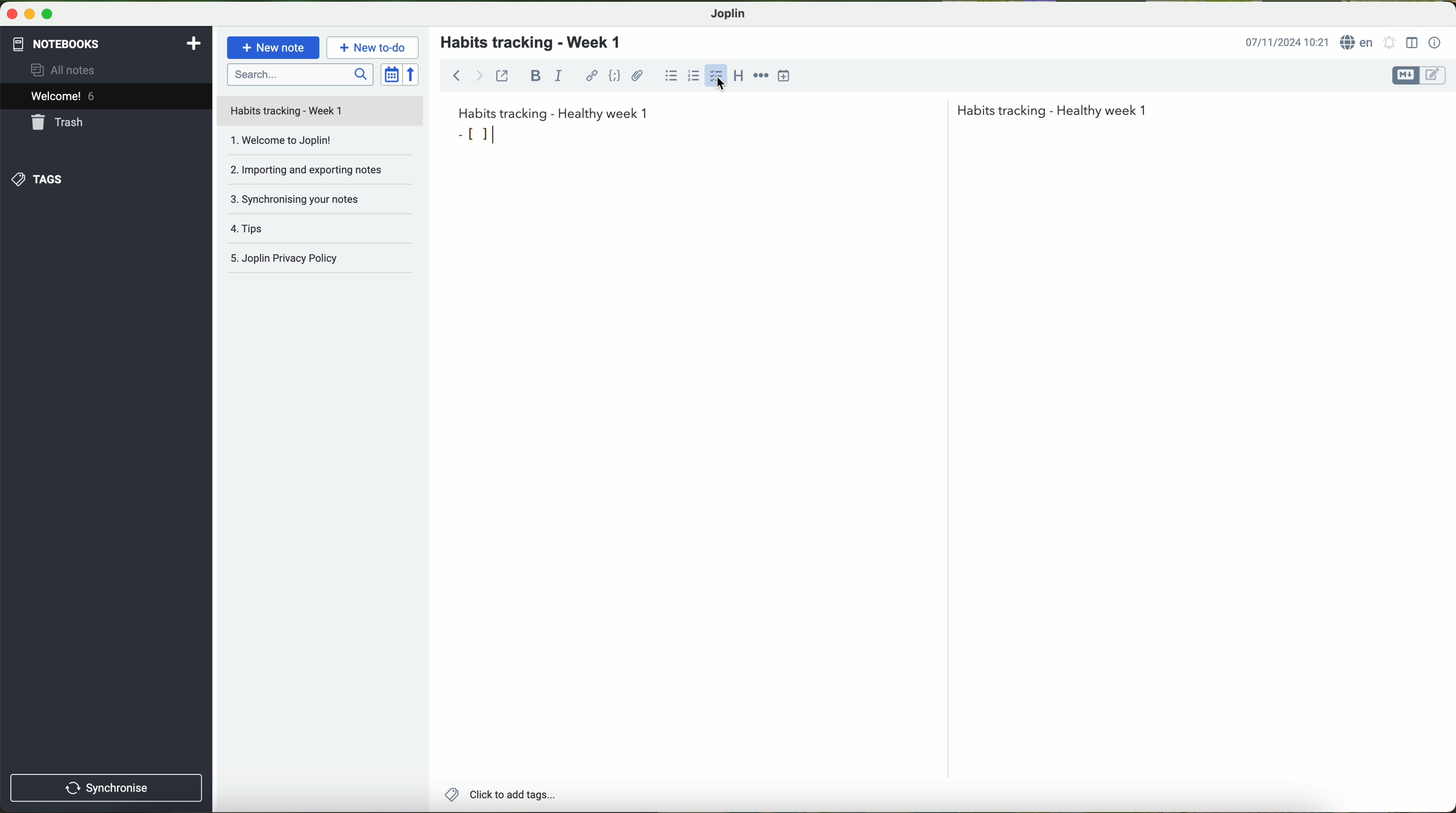  Describe the element at coordinates (638, 75) in the screenshot. I see `attach file` at that location.